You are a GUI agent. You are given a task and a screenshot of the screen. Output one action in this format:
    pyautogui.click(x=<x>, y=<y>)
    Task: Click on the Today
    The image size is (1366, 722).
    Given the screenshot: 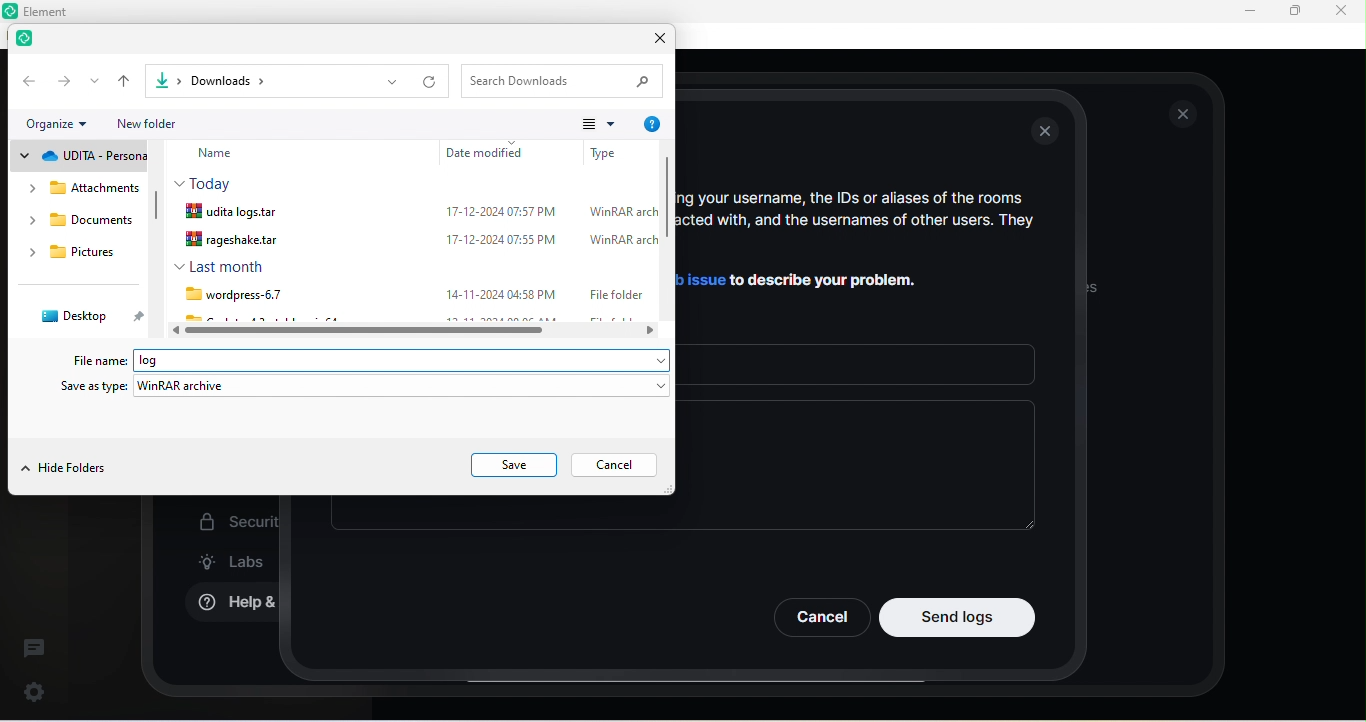 What is the action you would take?
    pyautogui.click(x=208, y=182)
    